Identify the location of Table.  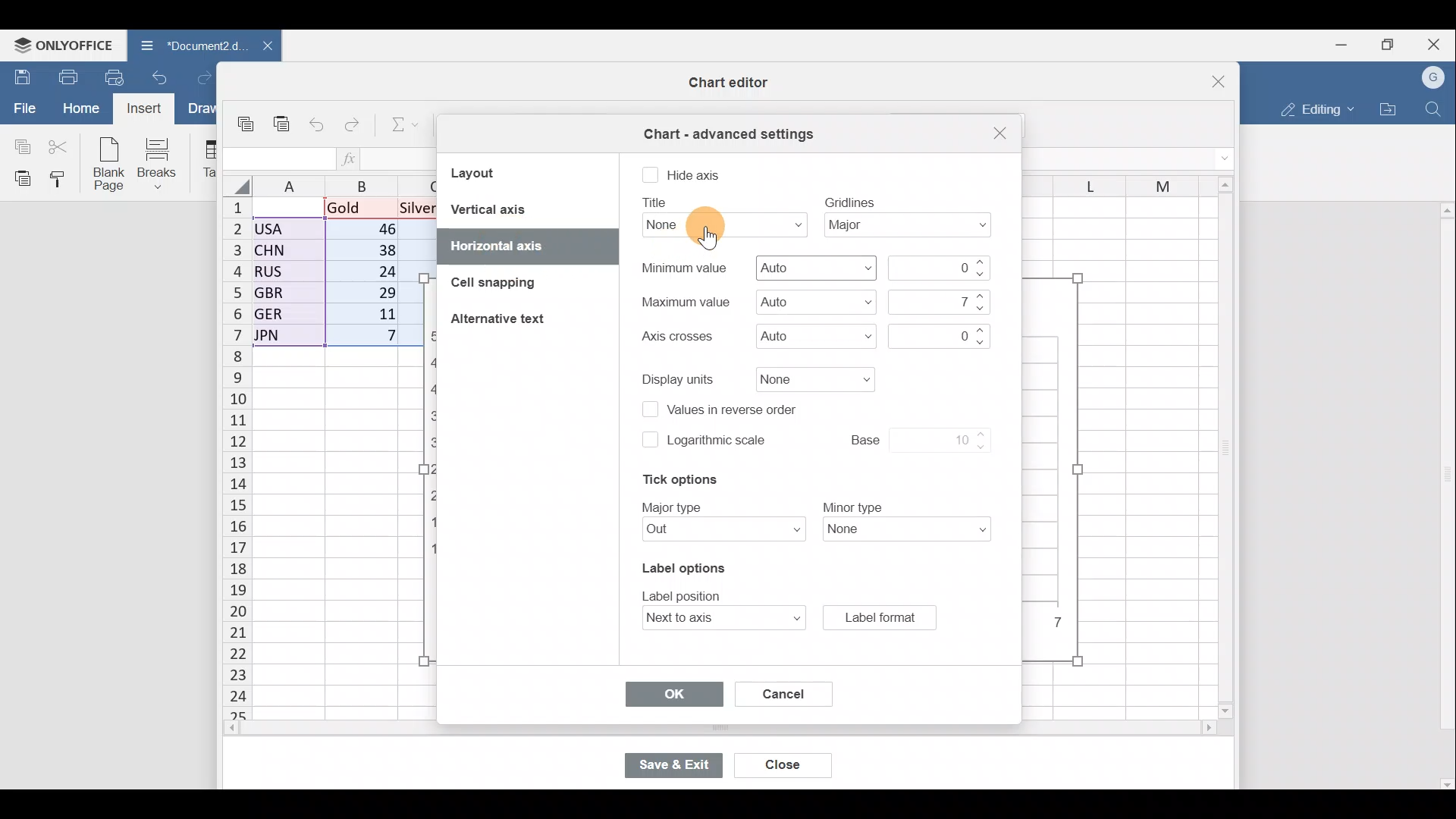
(209, 162).